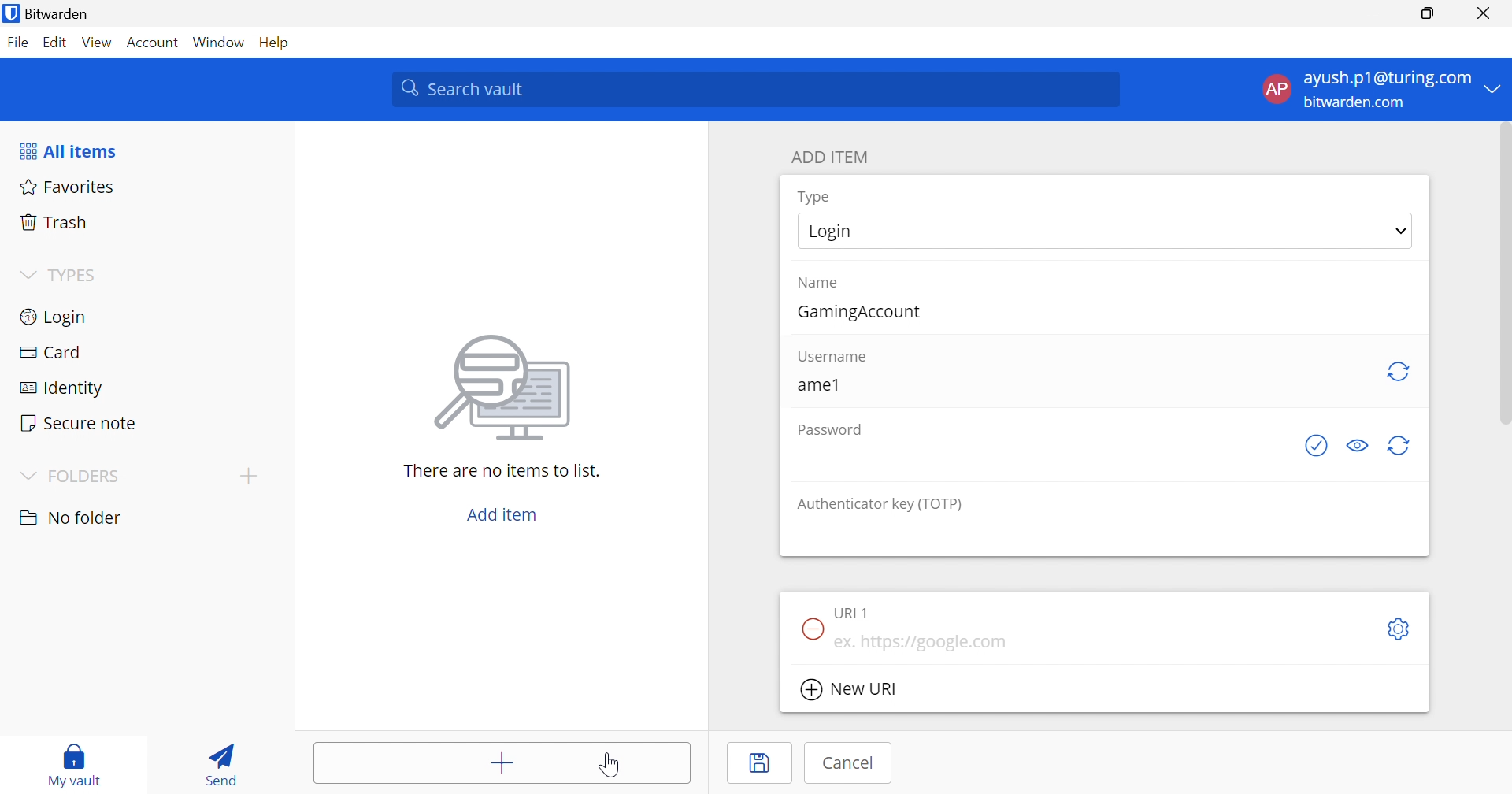  Describe the element at coordinates (819, 196) in the screenshot. I see `Type` at that location.